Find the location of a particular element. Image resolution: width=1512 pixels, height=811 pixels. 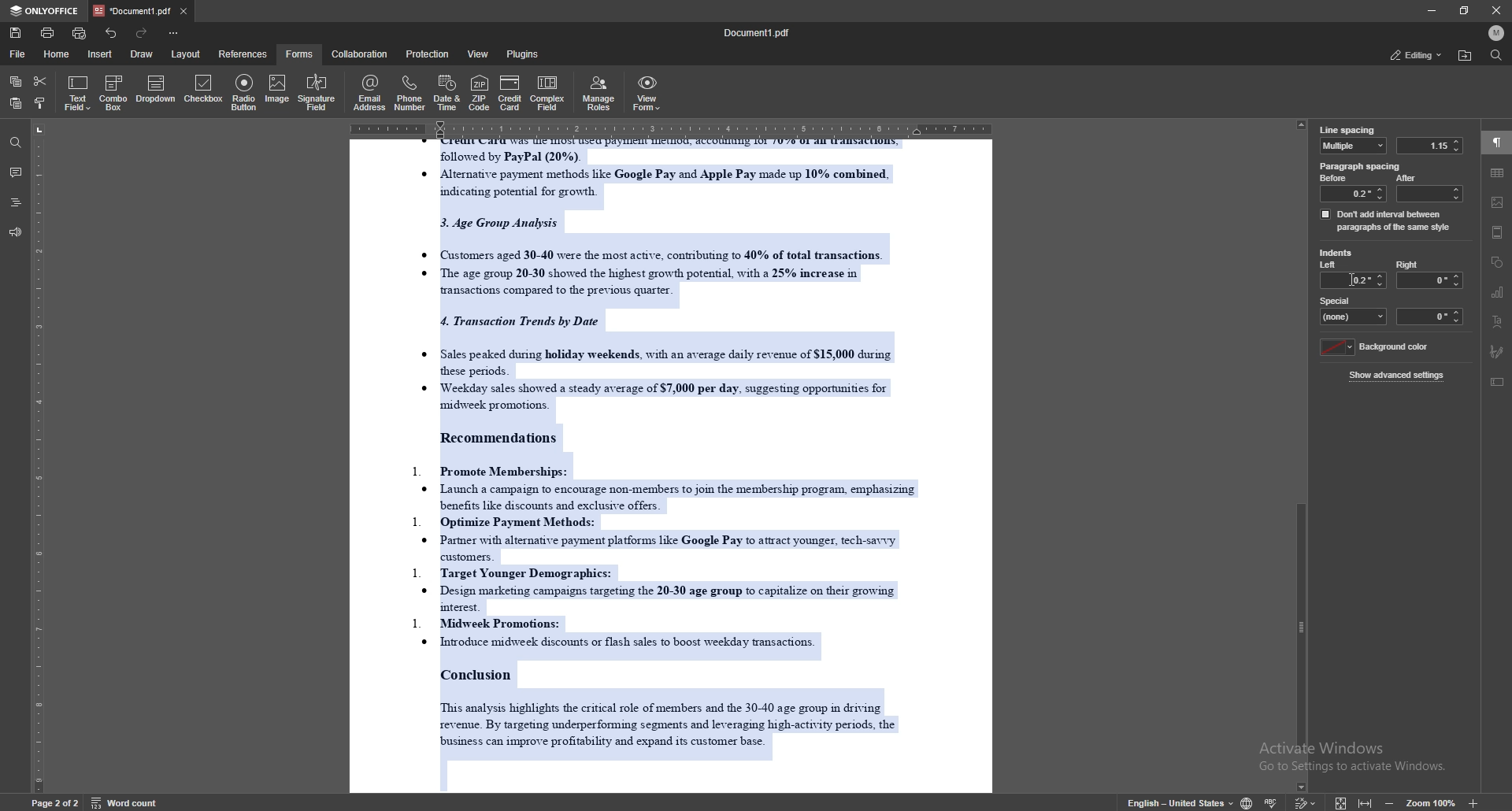

left indent value: 0.2 is located at coordinates (1367, 280).